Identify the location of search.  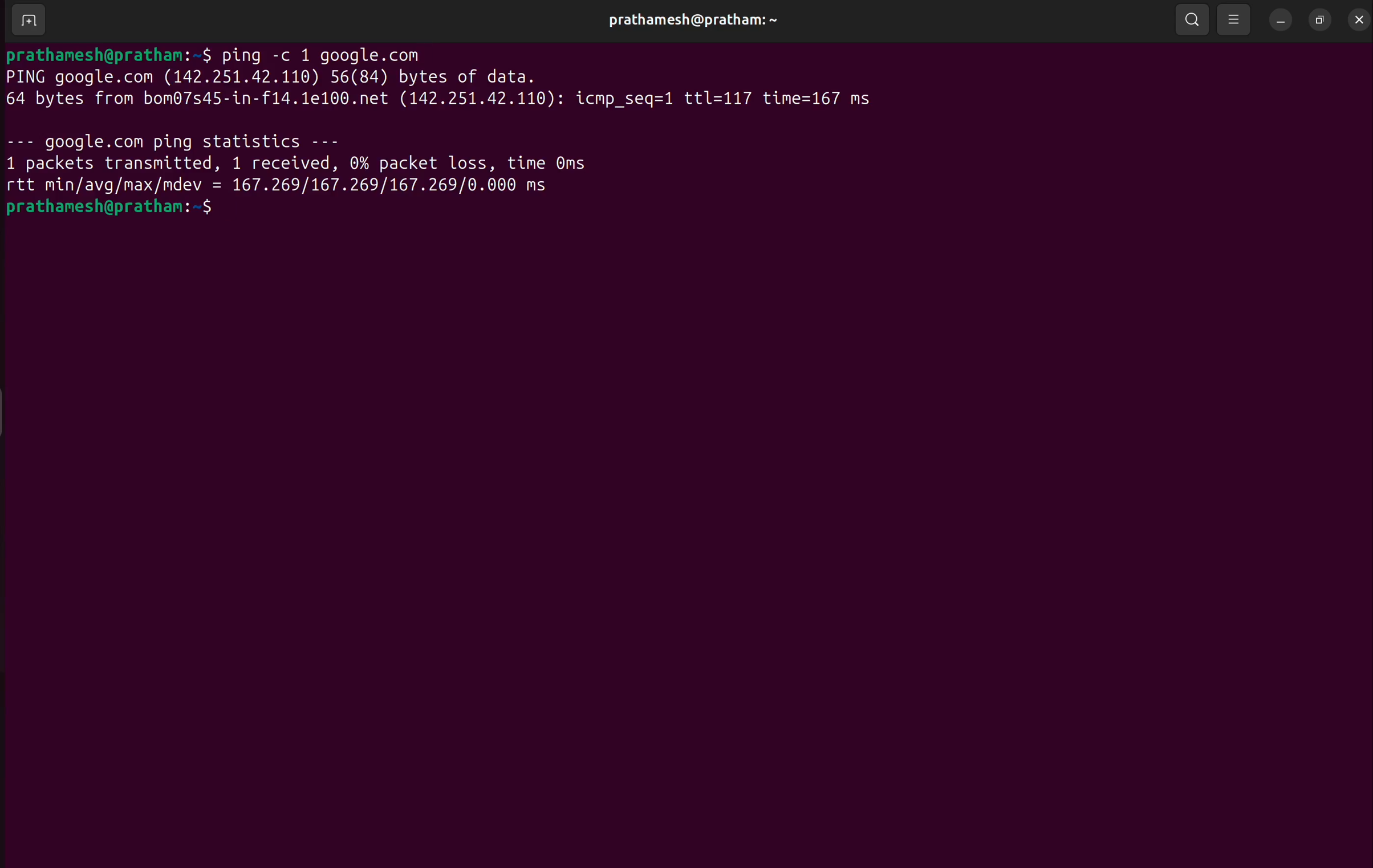
(1195, 18).